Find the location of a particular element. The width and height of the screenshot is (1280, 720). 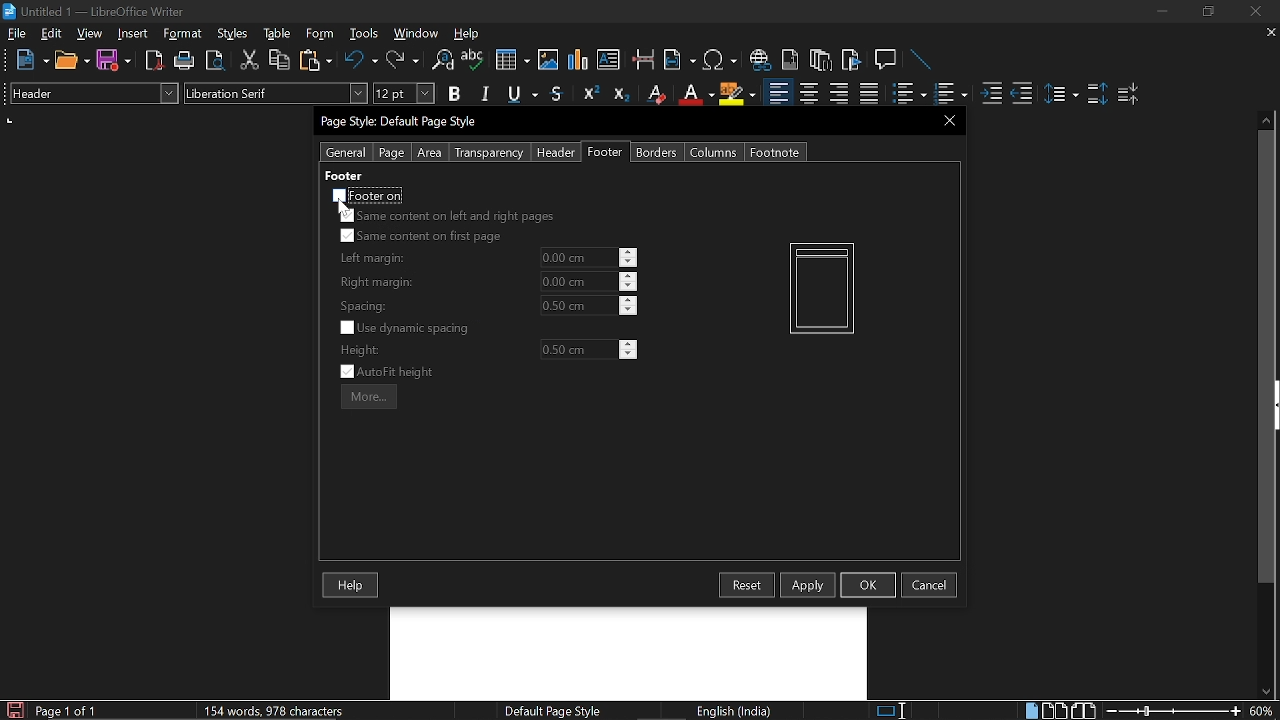

Insert image is located at coordinates (550, 59).